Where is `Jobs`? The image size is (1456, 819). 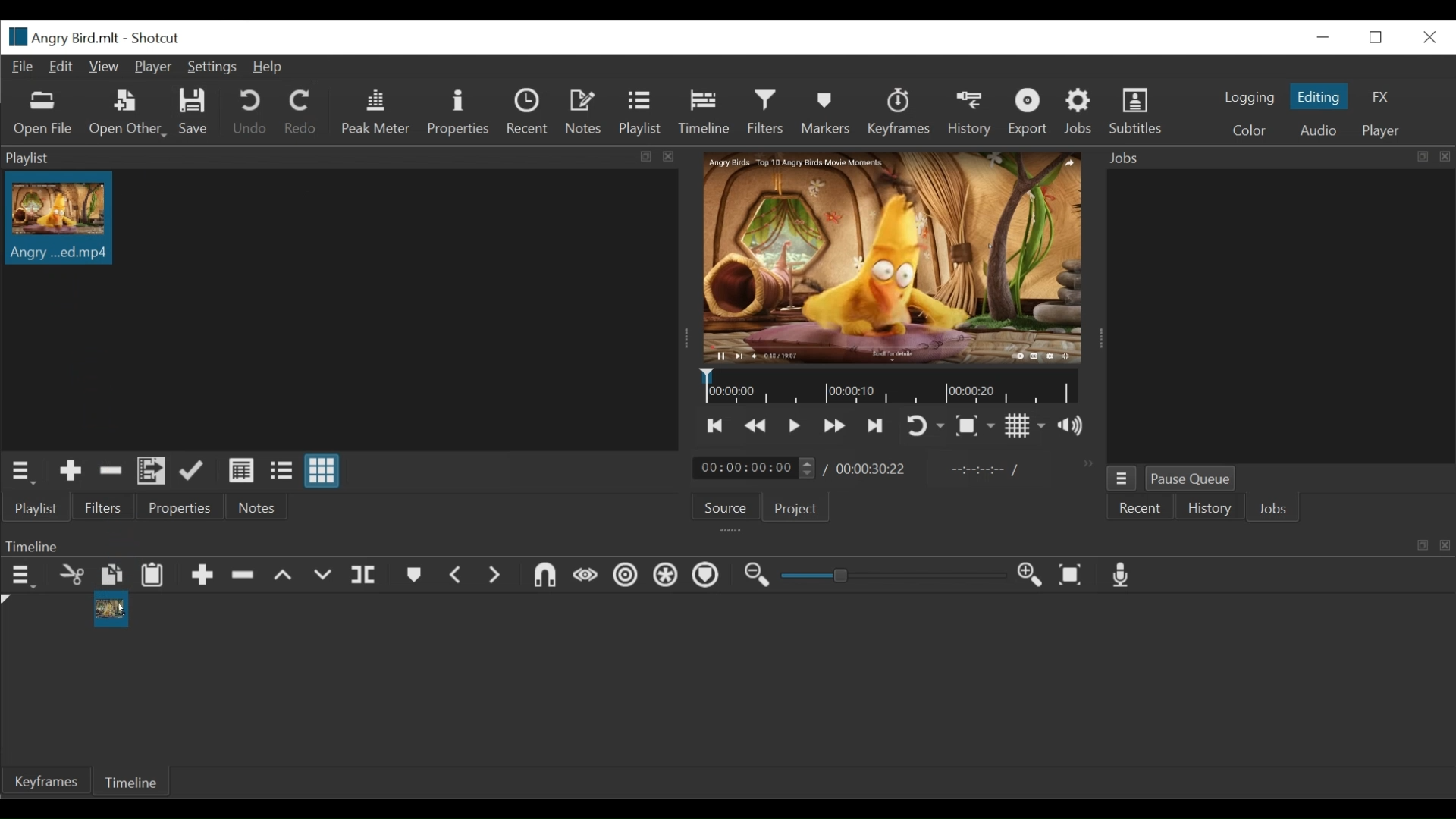
Jobs is located at coordinates (1273, 509).